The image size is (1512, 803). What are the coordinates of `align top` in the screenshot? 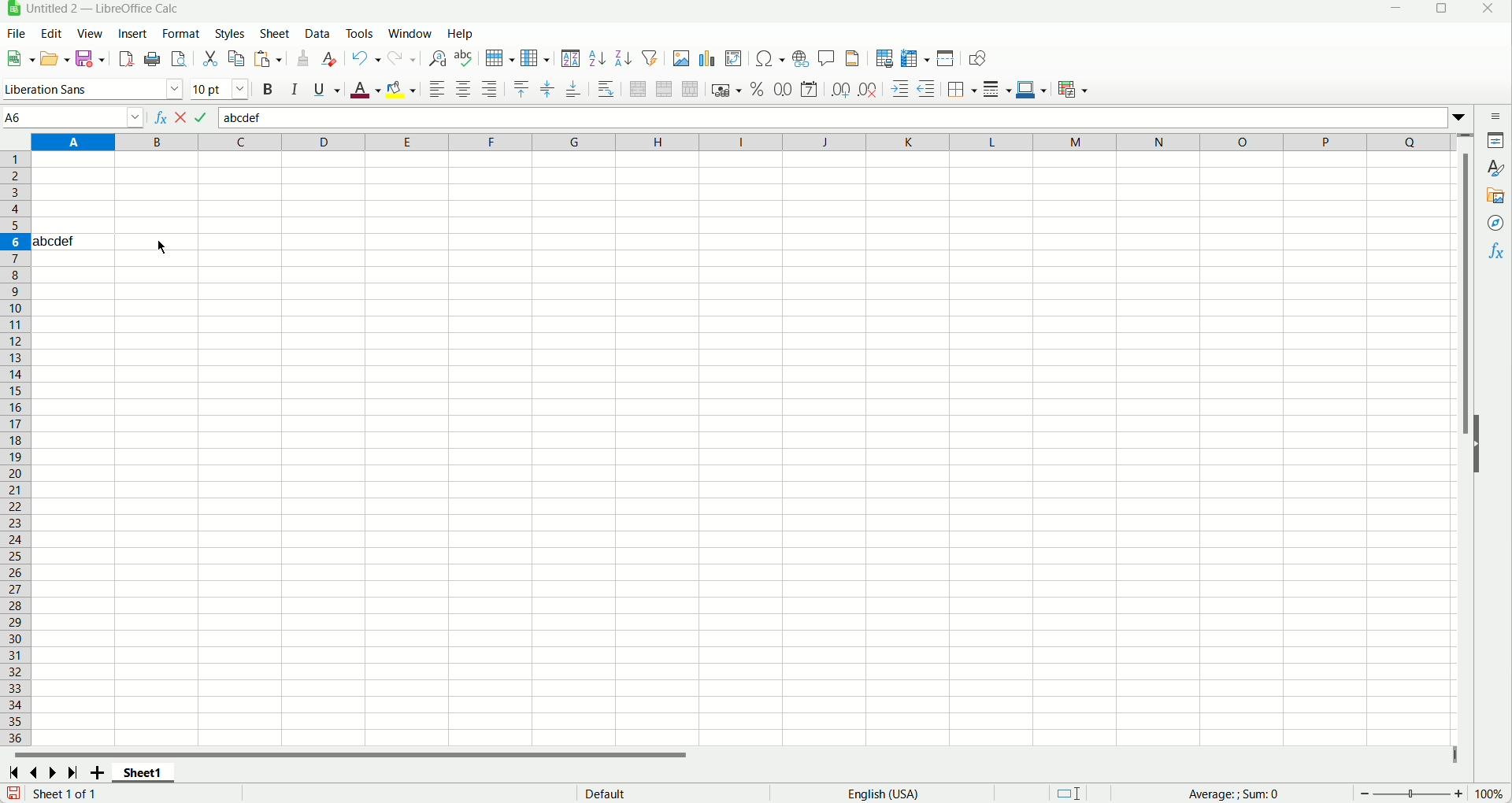 It's located at (522, 89).